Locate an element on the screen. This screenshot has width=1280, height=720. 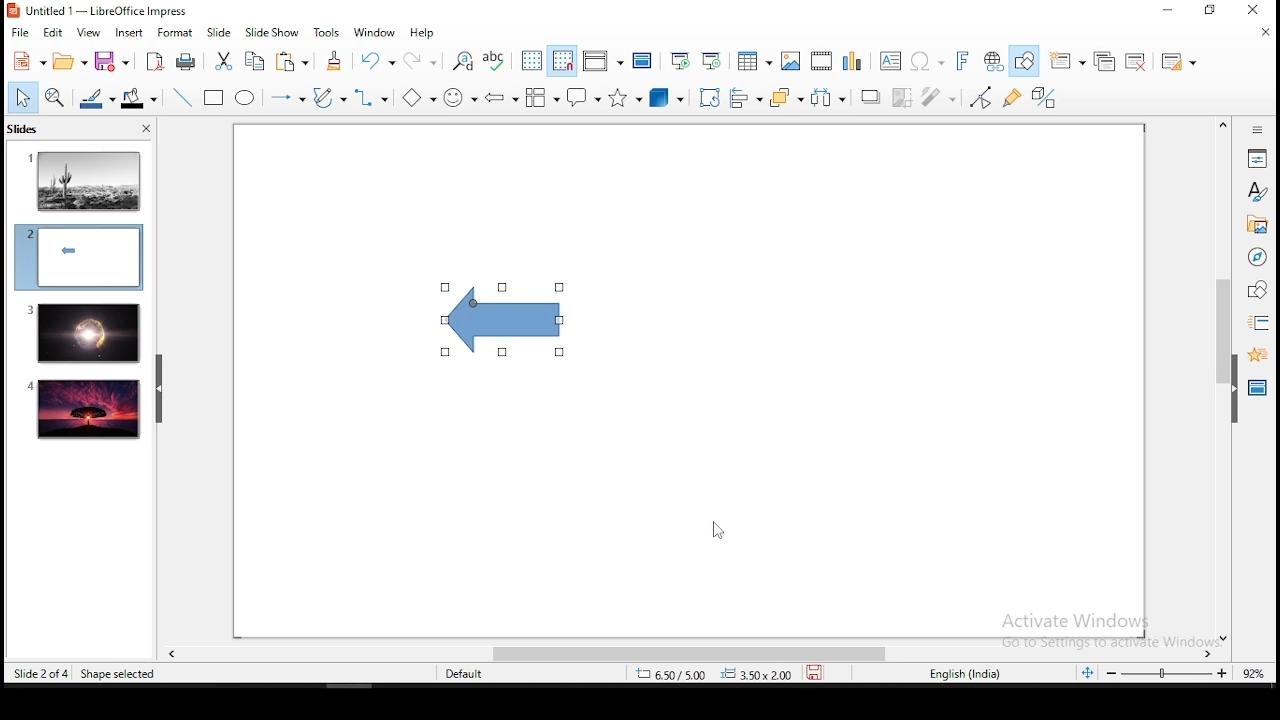
rectangle is located at coordinates (215, 99).